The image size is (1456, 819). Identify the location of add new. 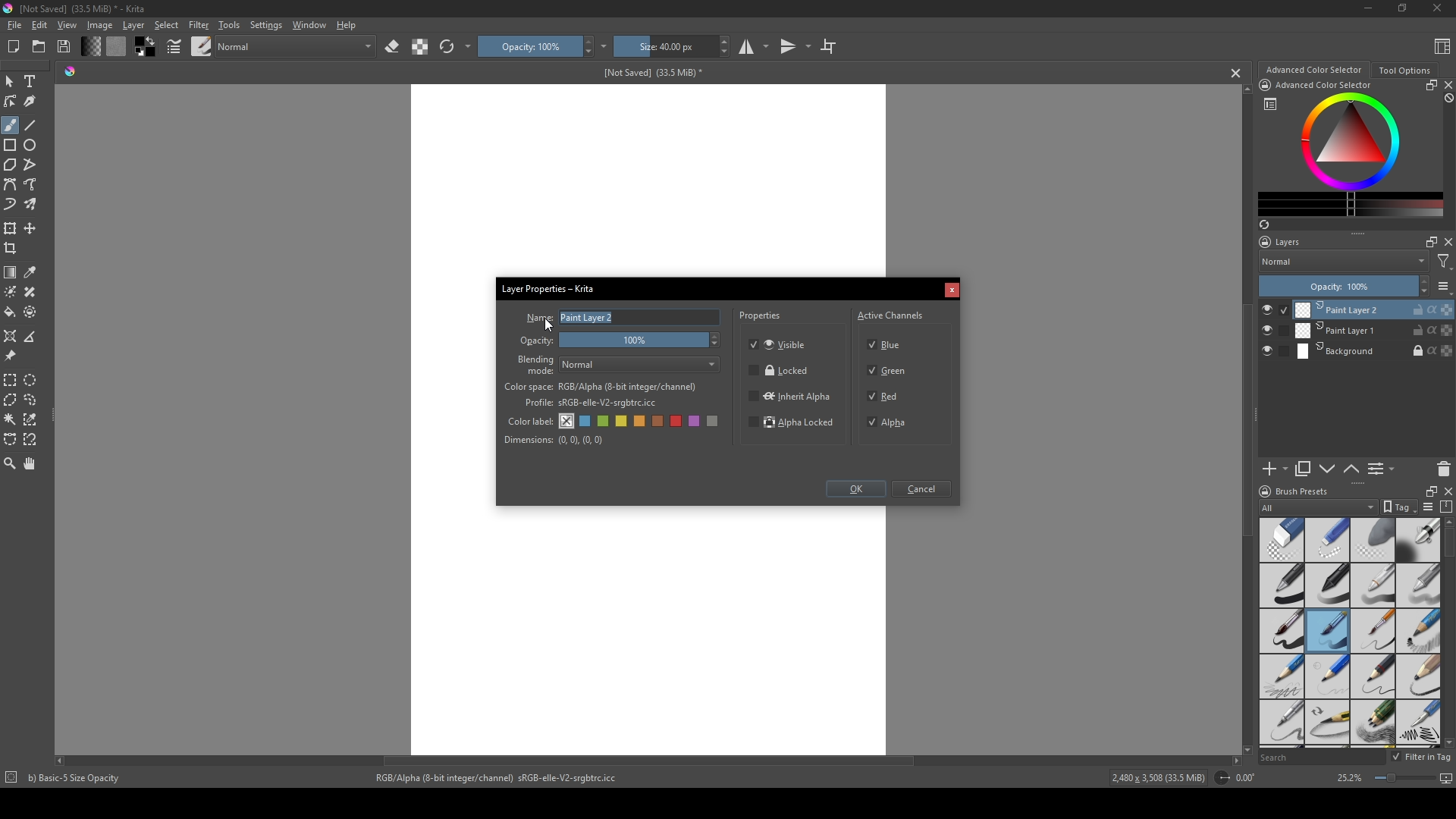
(1274, 469).